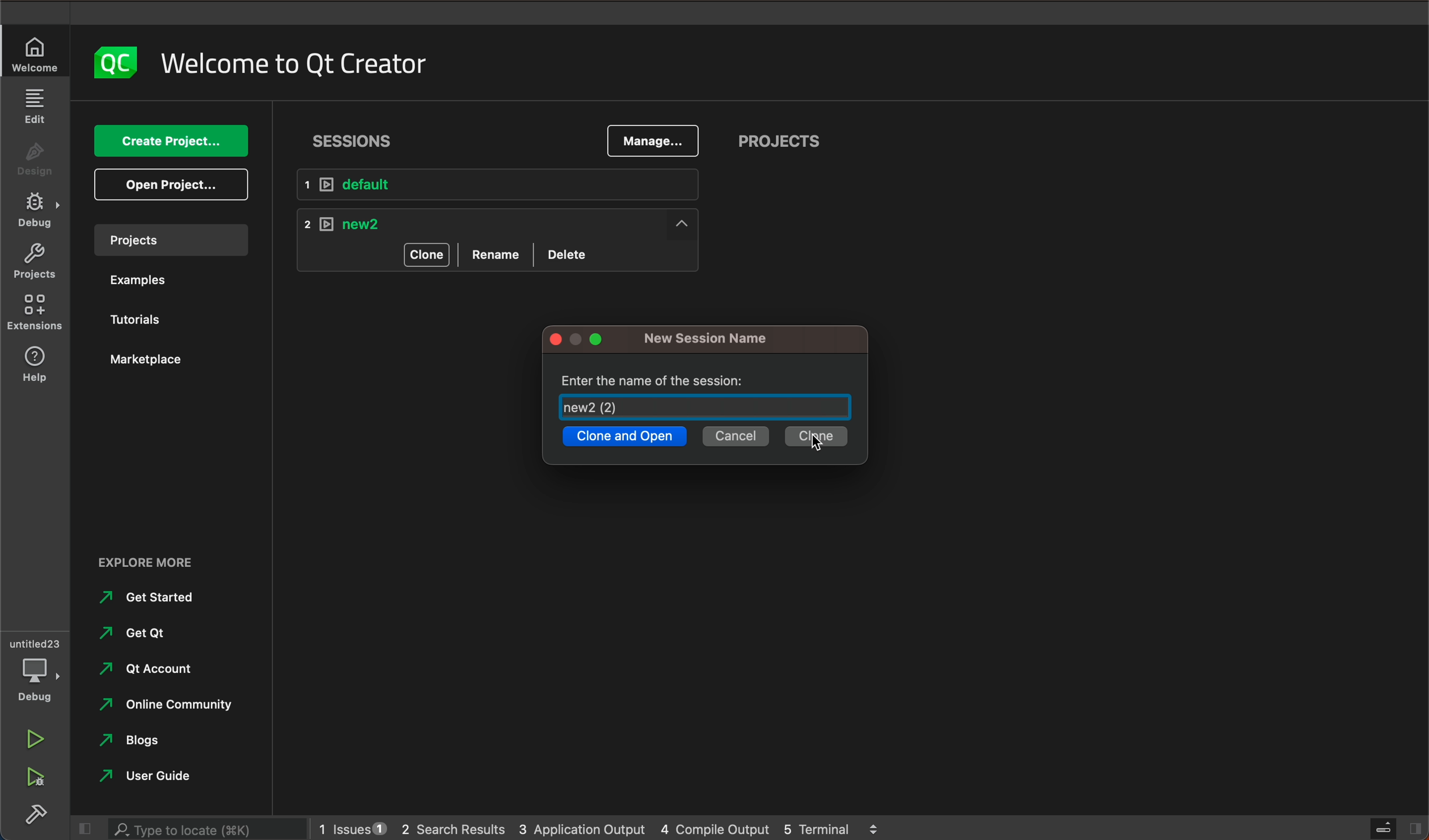 Image resolution: width=1429 pixels, height=840 pixels. Describe the element at coordinates (161, 775) in the screenshot. I see `user guide` at that location.